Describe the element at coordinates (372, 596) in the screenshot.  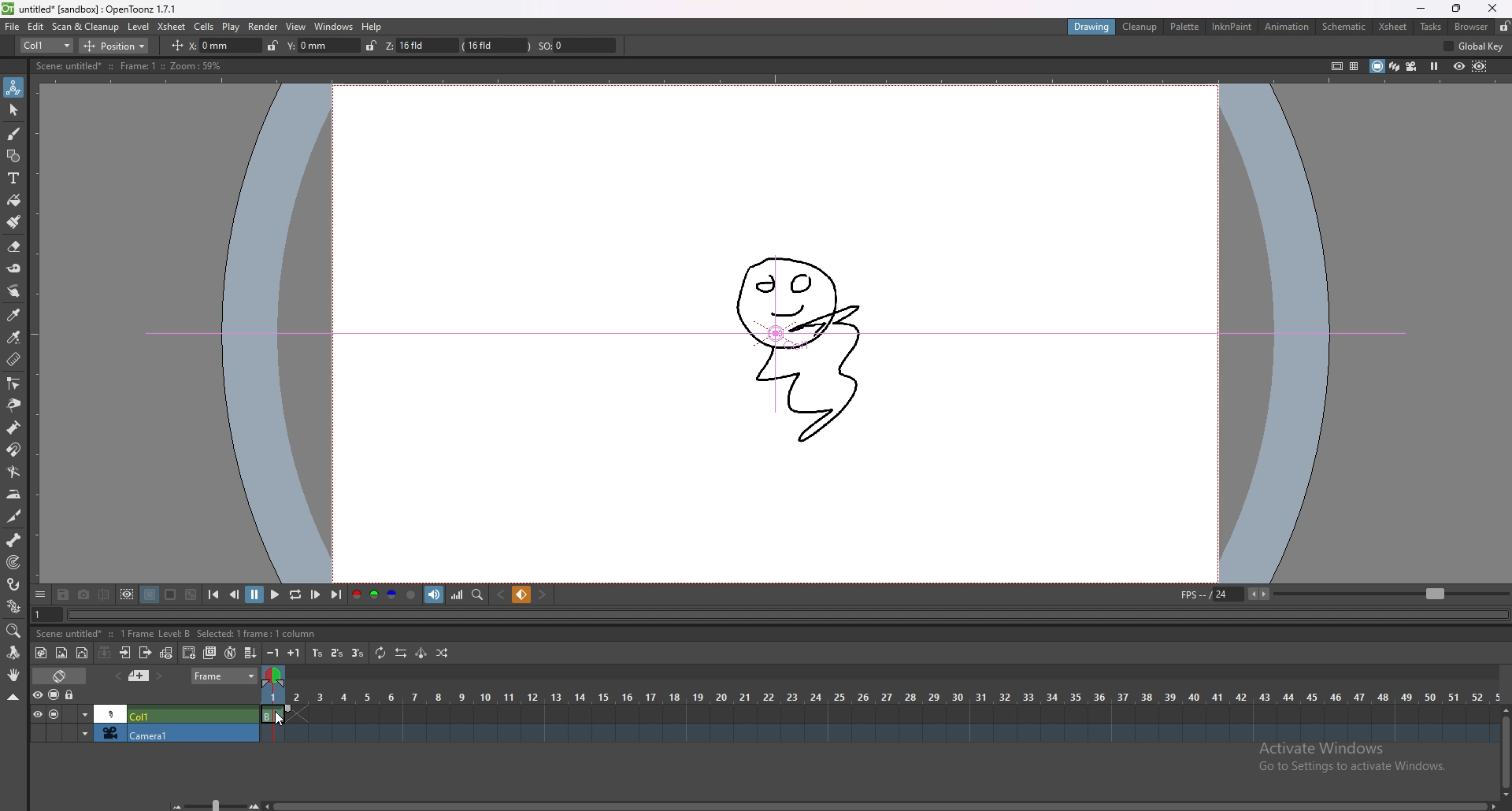
I see `green channel` at that location.